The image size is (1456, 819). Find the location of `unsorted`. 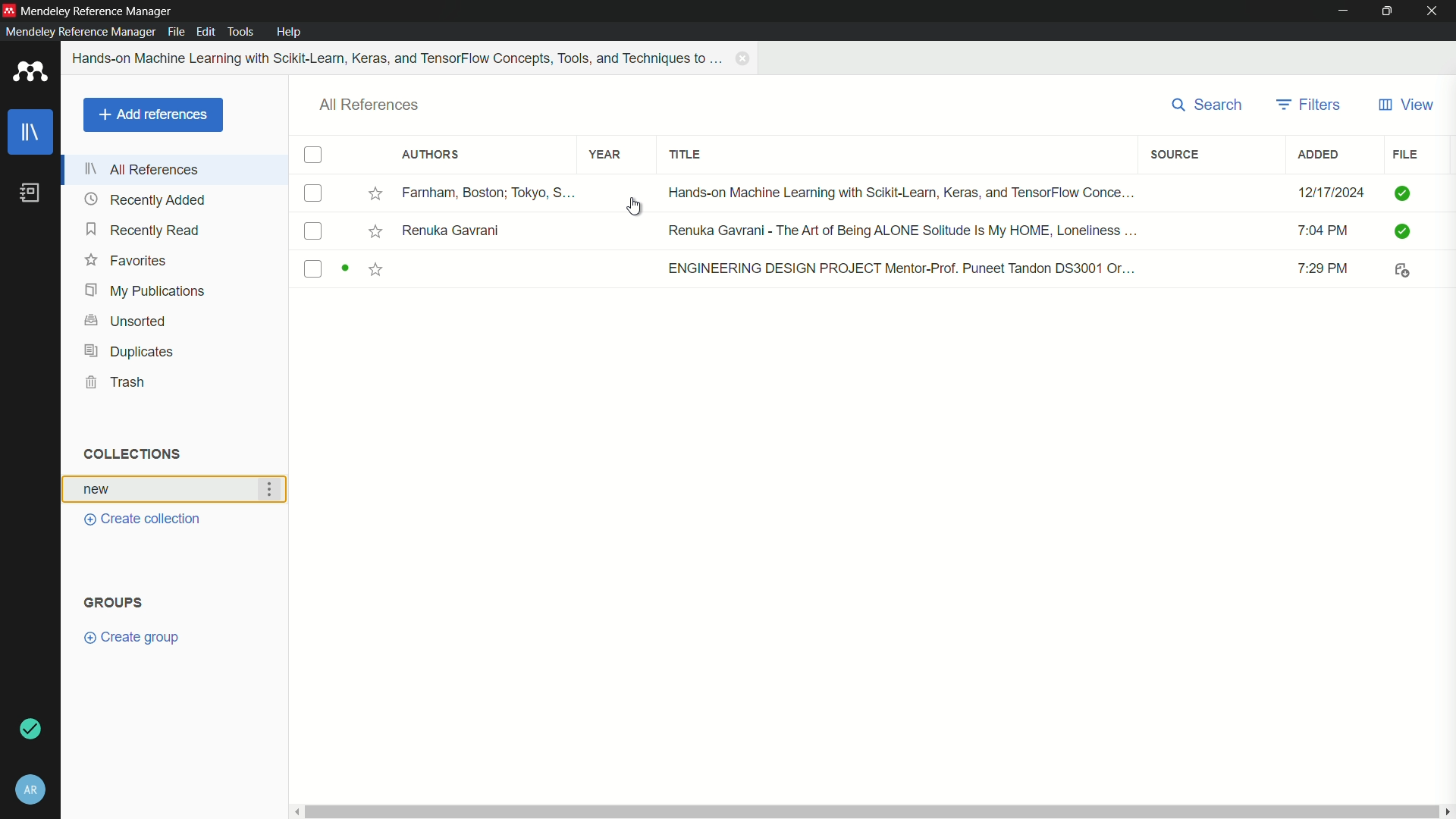

unsorted is located at coordinates (128, 319).